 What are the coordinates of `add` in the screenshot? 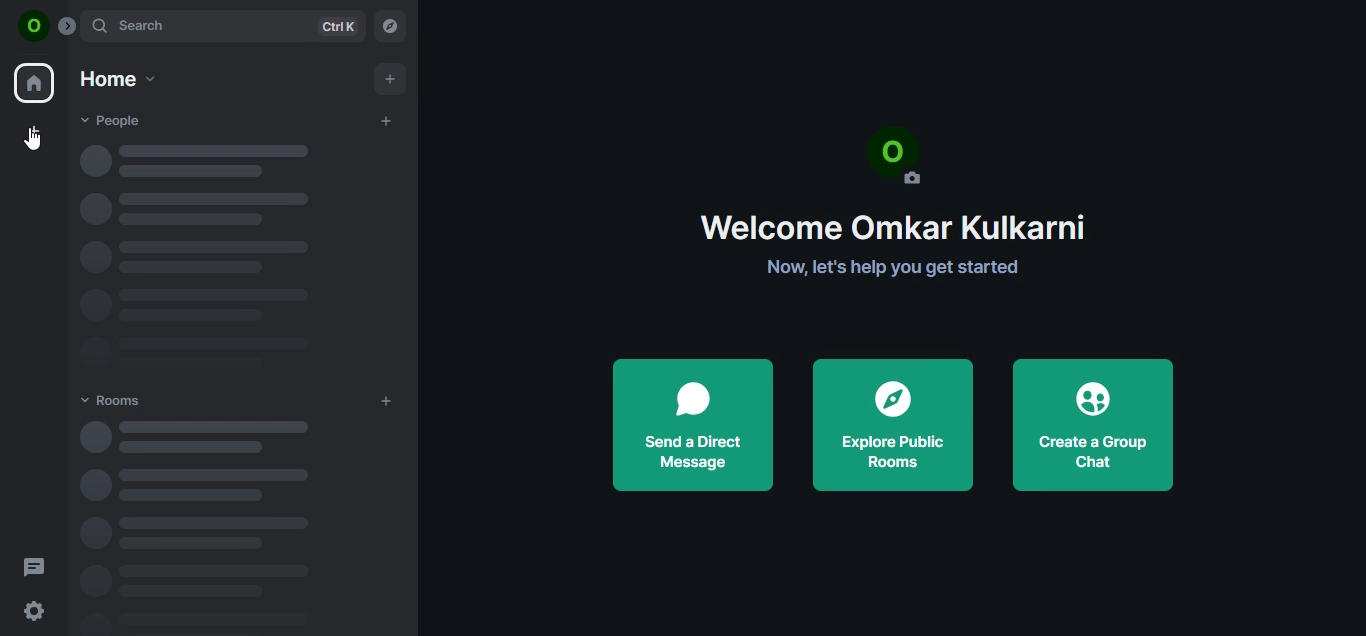 It's located at (391, 80).